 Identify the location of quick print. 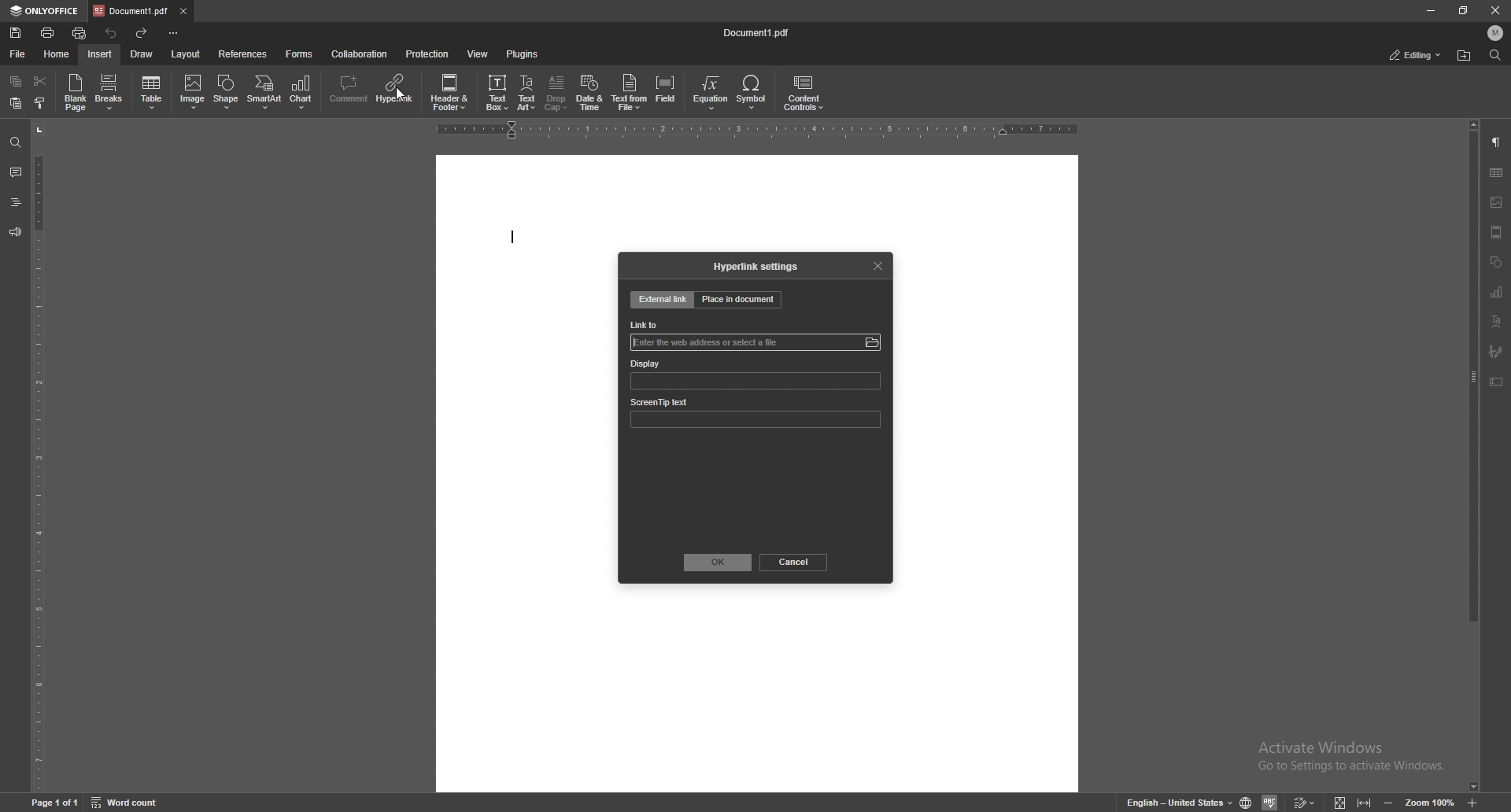
(82, 32).